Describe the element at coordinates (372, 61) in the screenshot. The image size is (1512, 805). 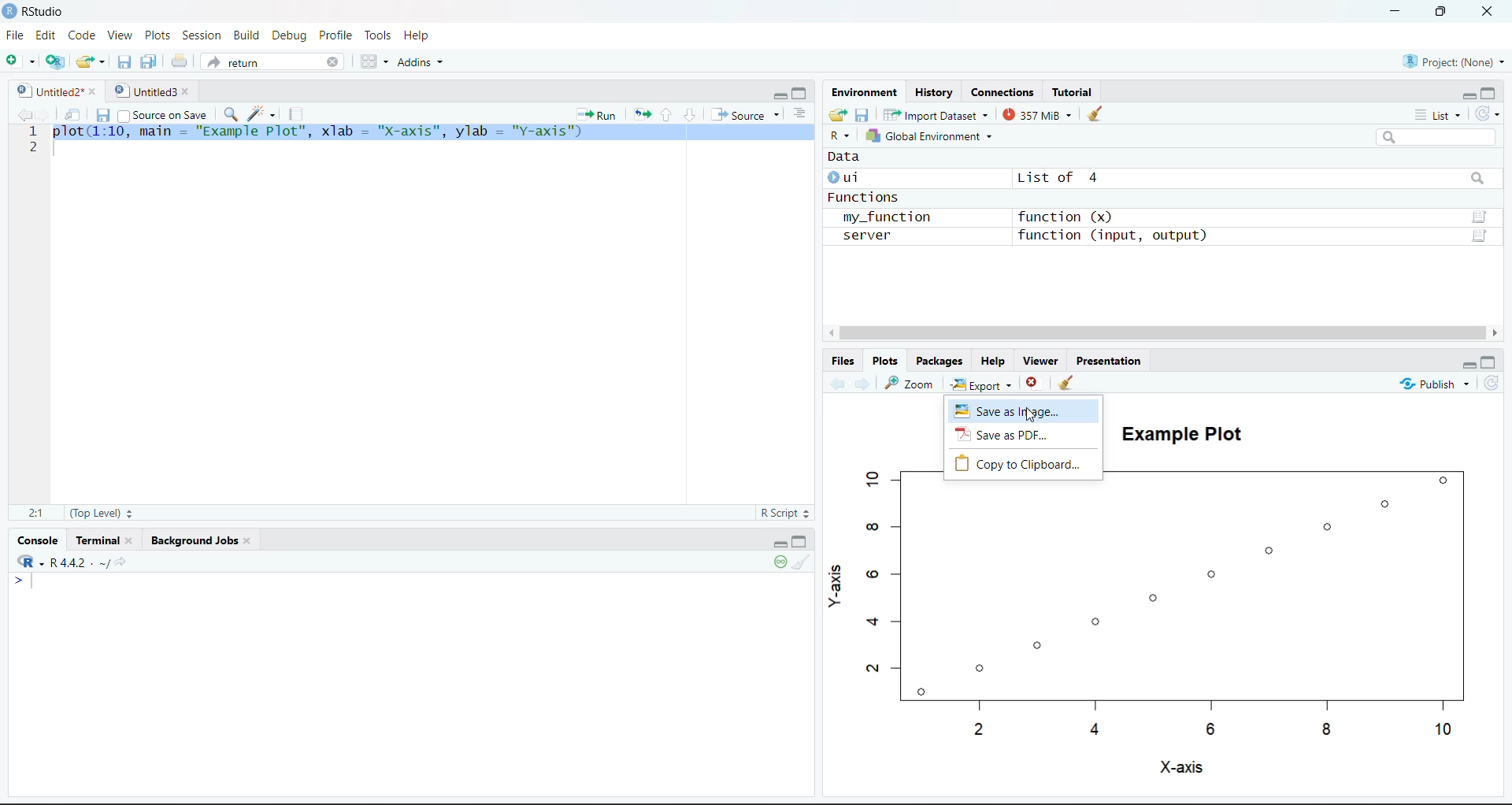
I see `Workspace panes` at that location.